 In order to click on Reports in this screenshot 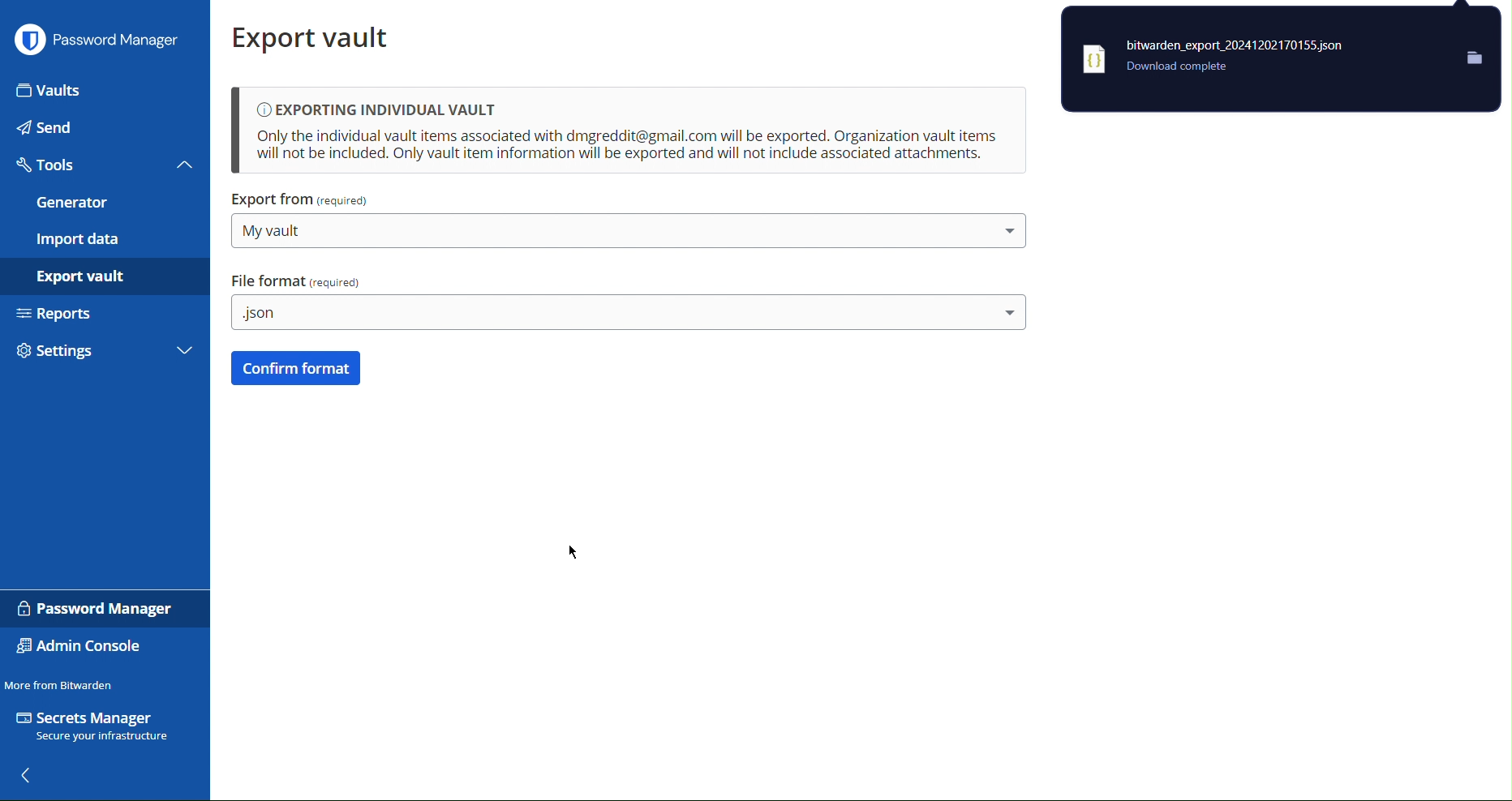, I will do `click(61, 311)`.